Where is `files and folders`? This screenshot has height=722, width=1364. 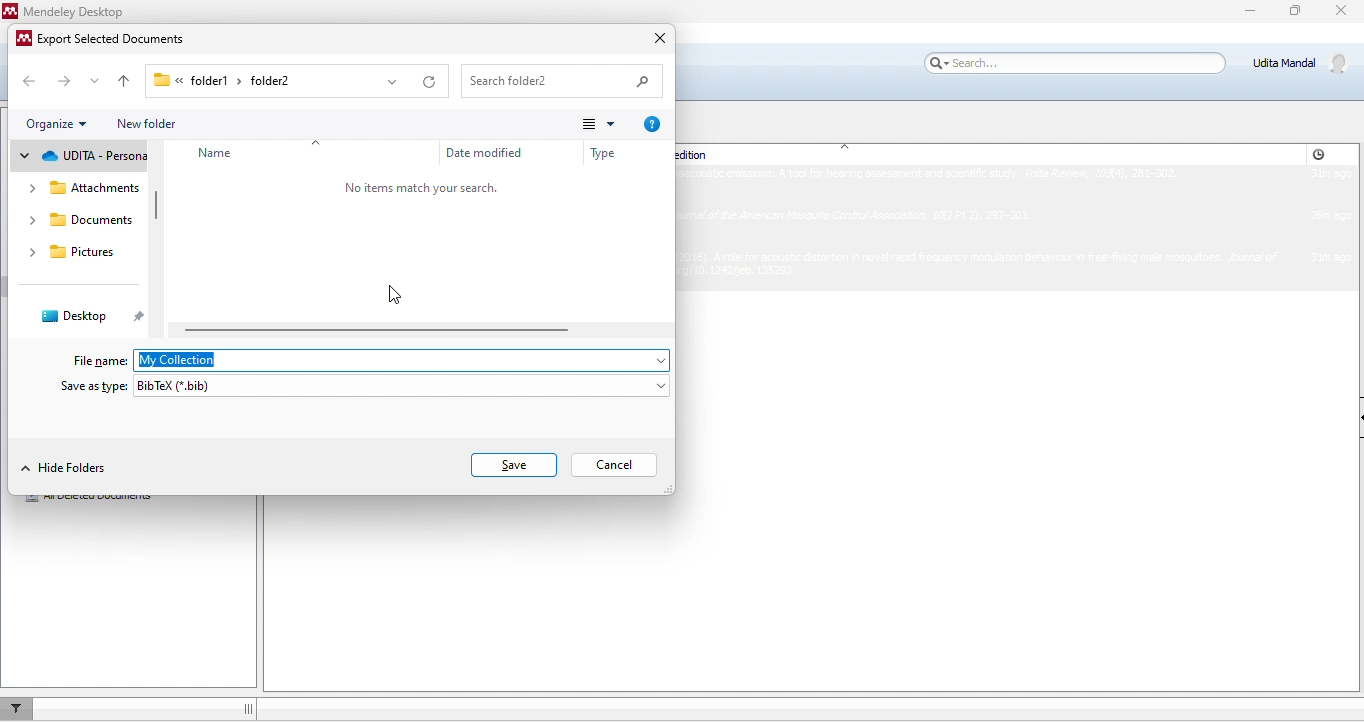
files and folders is located at coordinates (74, 250).